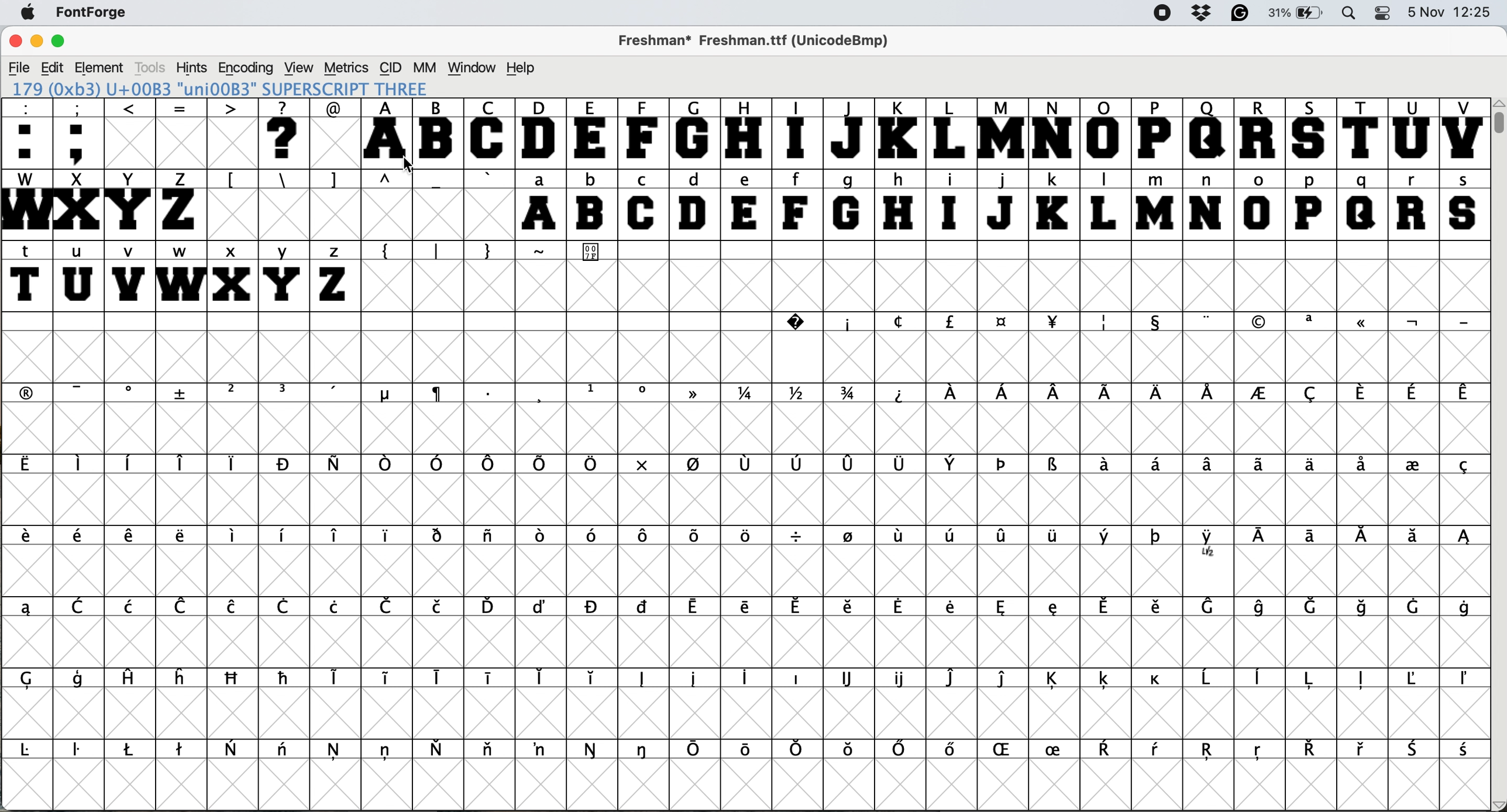  What do you see at coordinates (846, 322) in the screenshot?
I see `i` at bounding box center [846, 322].